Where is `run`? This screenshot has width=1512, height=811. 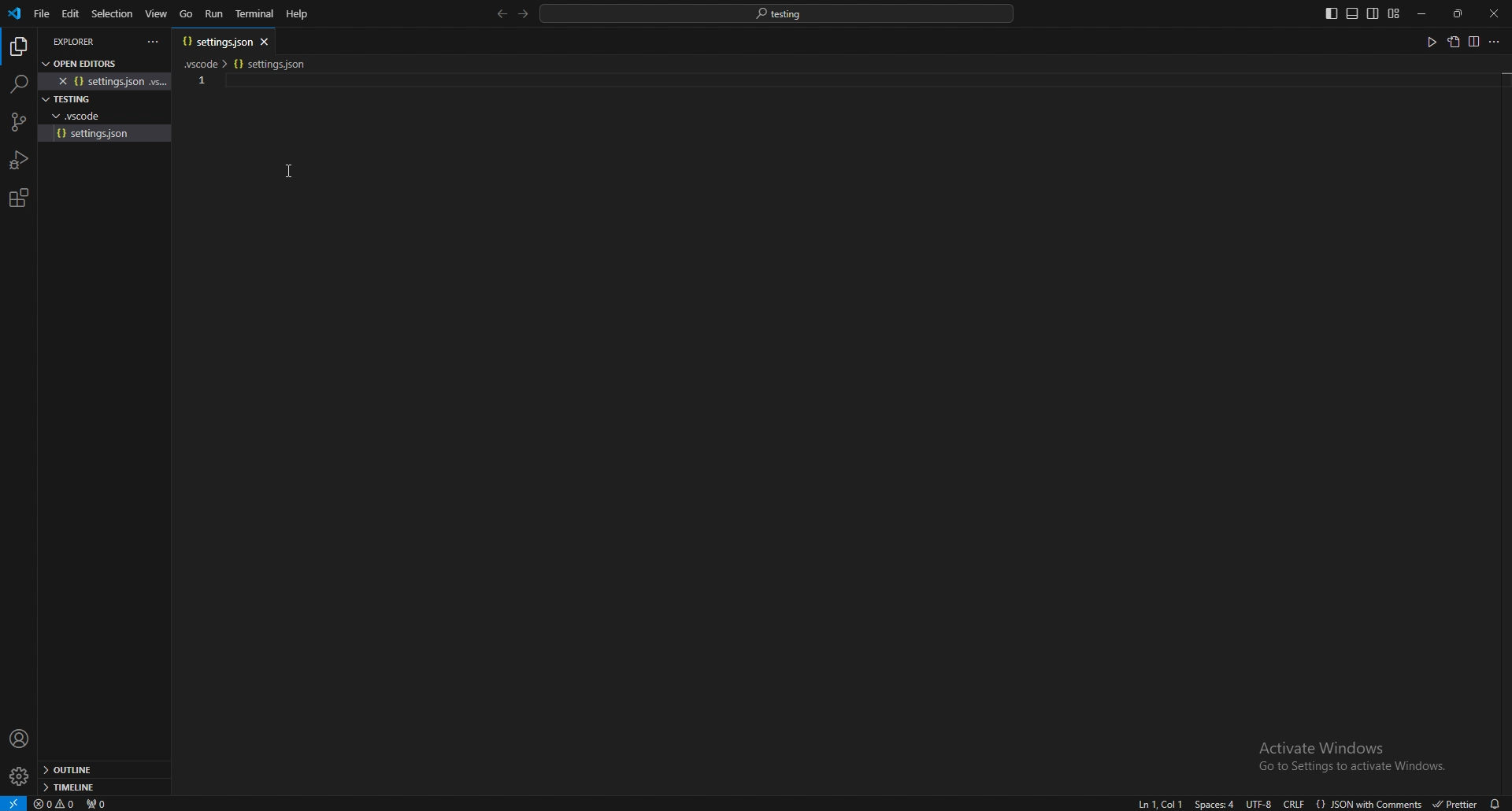
run is located at coordinates (216, 13).